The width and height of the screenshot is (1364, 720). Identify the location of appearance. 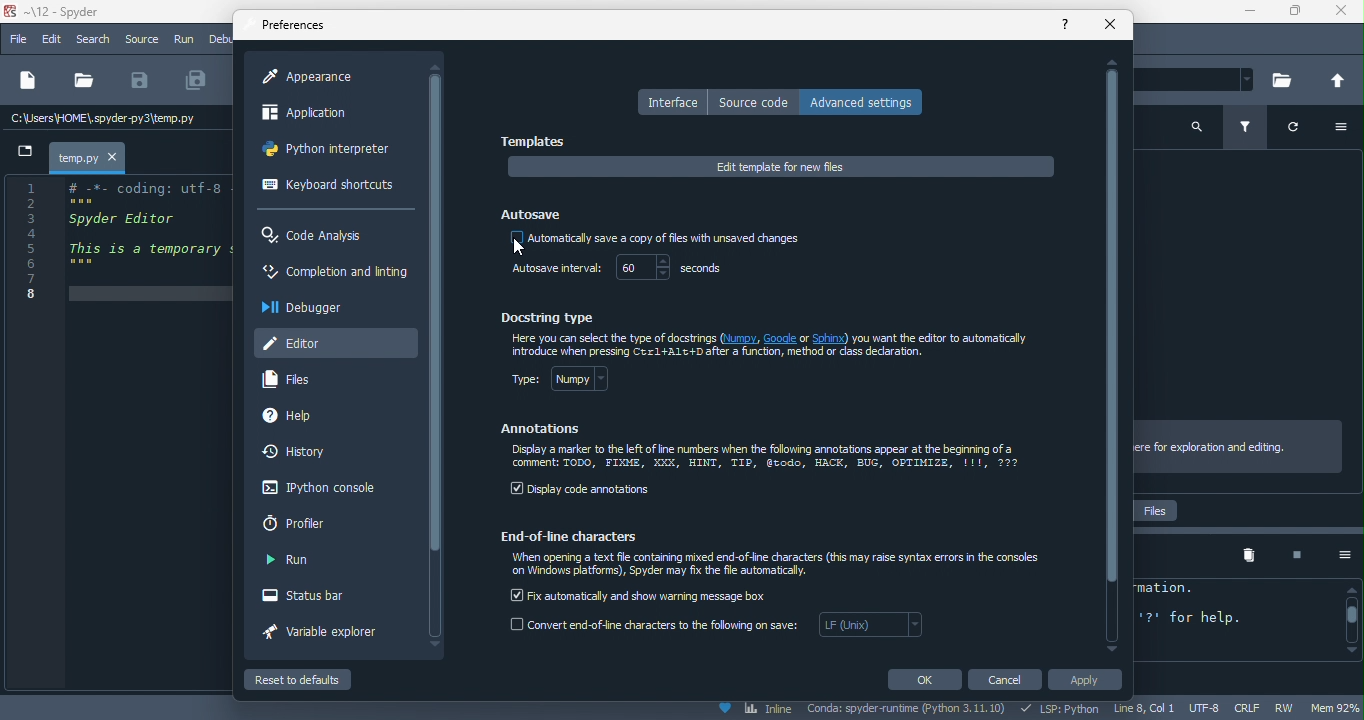
(318, 77).